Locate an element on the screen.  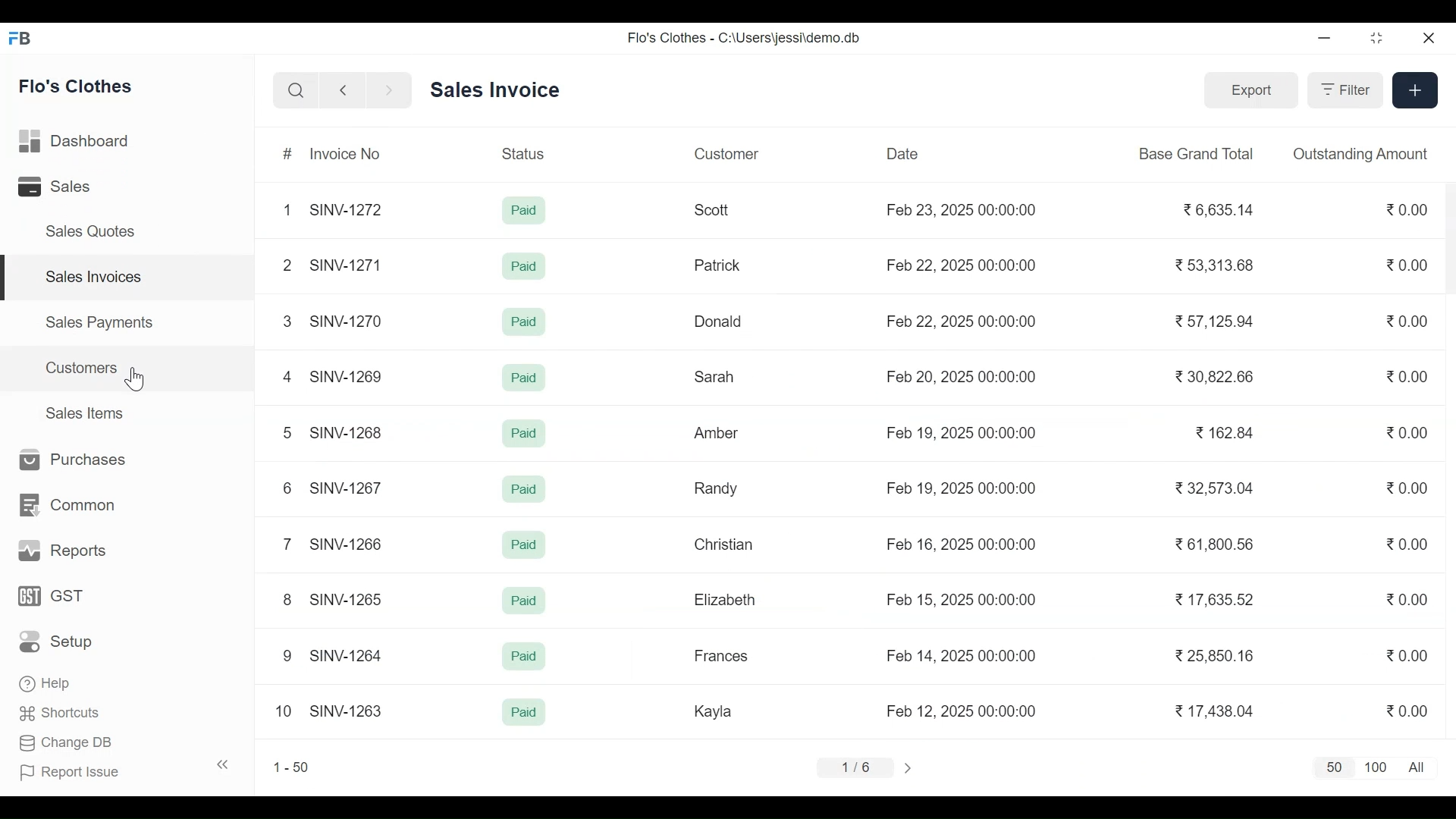
Cursor is located at coordinates (133, 380).